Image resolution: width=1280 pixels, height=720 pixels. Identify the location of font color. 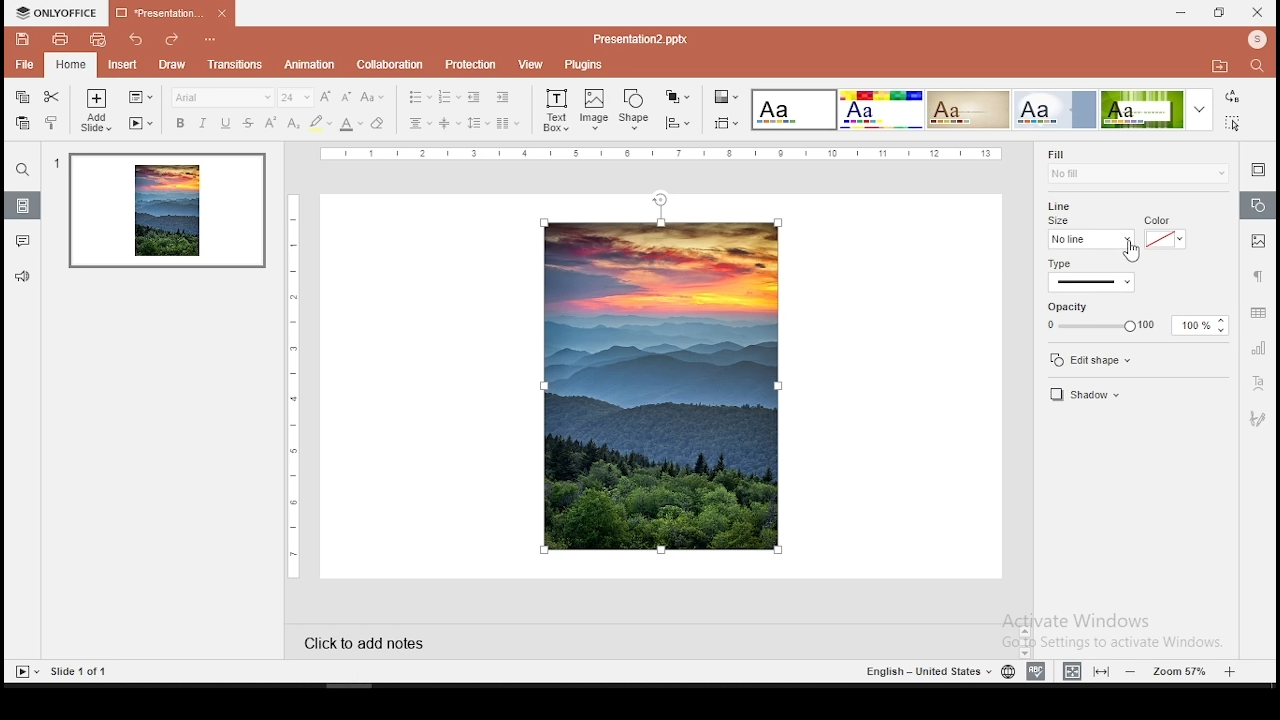
(351, 124).